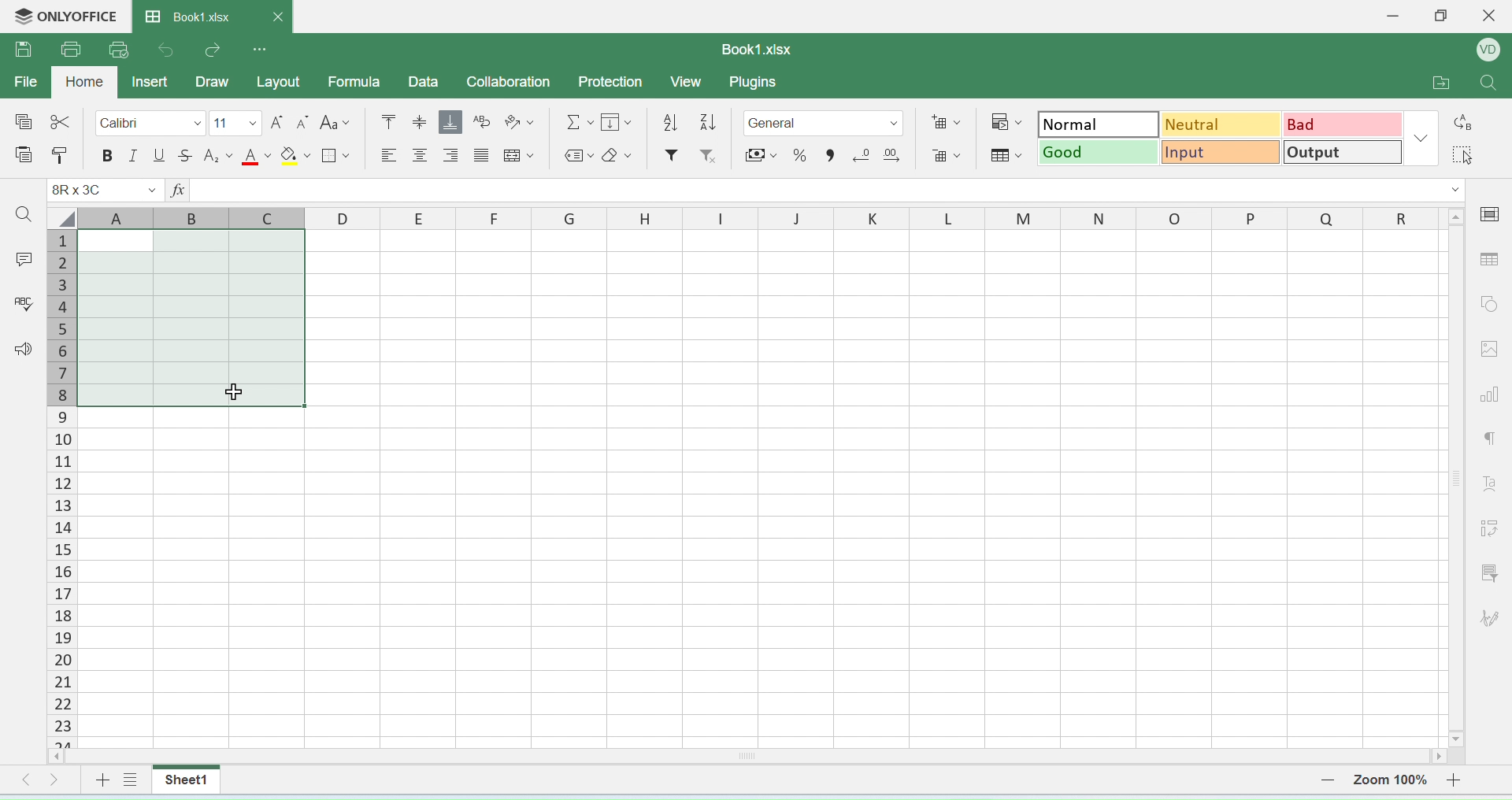 The height and width of the screenshot is (800, 1512). I want to click on plugins, so click(762, 82).